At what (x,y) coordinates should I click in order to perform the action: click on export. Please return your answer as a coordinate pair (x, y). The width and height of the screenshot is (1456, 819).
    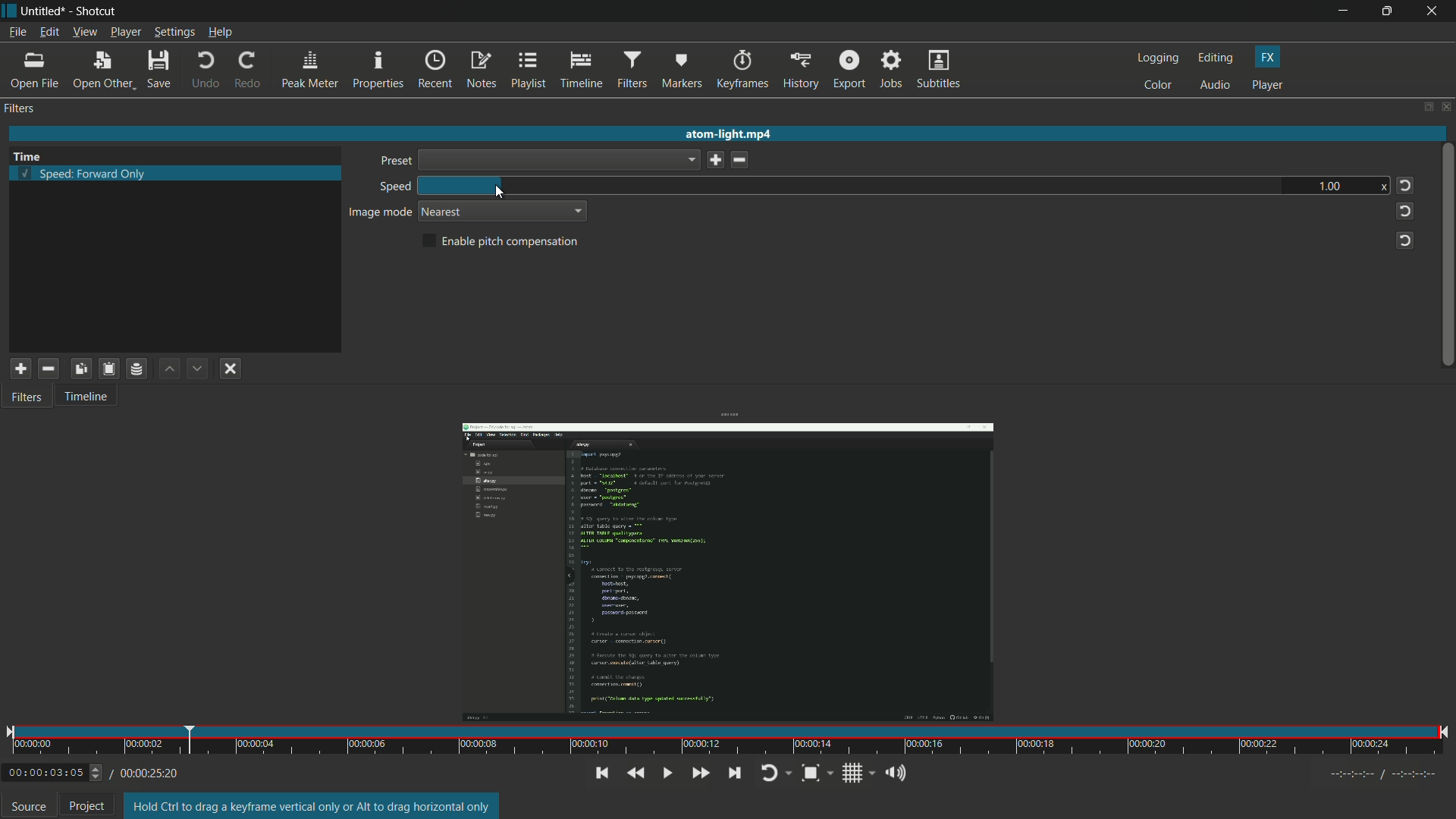
    Looking at the image, I should click on (849, 71).